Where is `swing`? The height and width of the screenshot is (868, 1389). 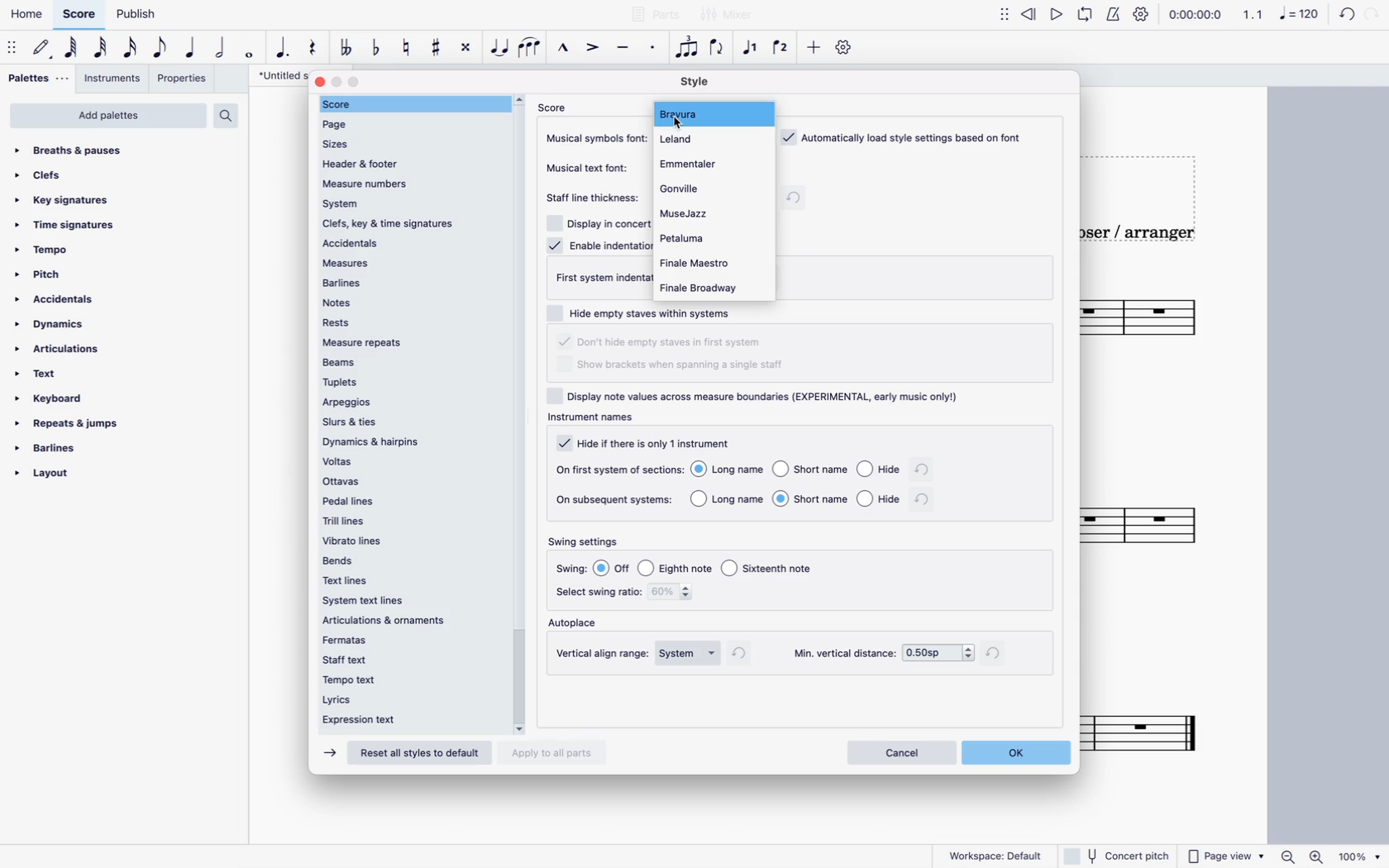
swing is located at coordinates (573, 569).